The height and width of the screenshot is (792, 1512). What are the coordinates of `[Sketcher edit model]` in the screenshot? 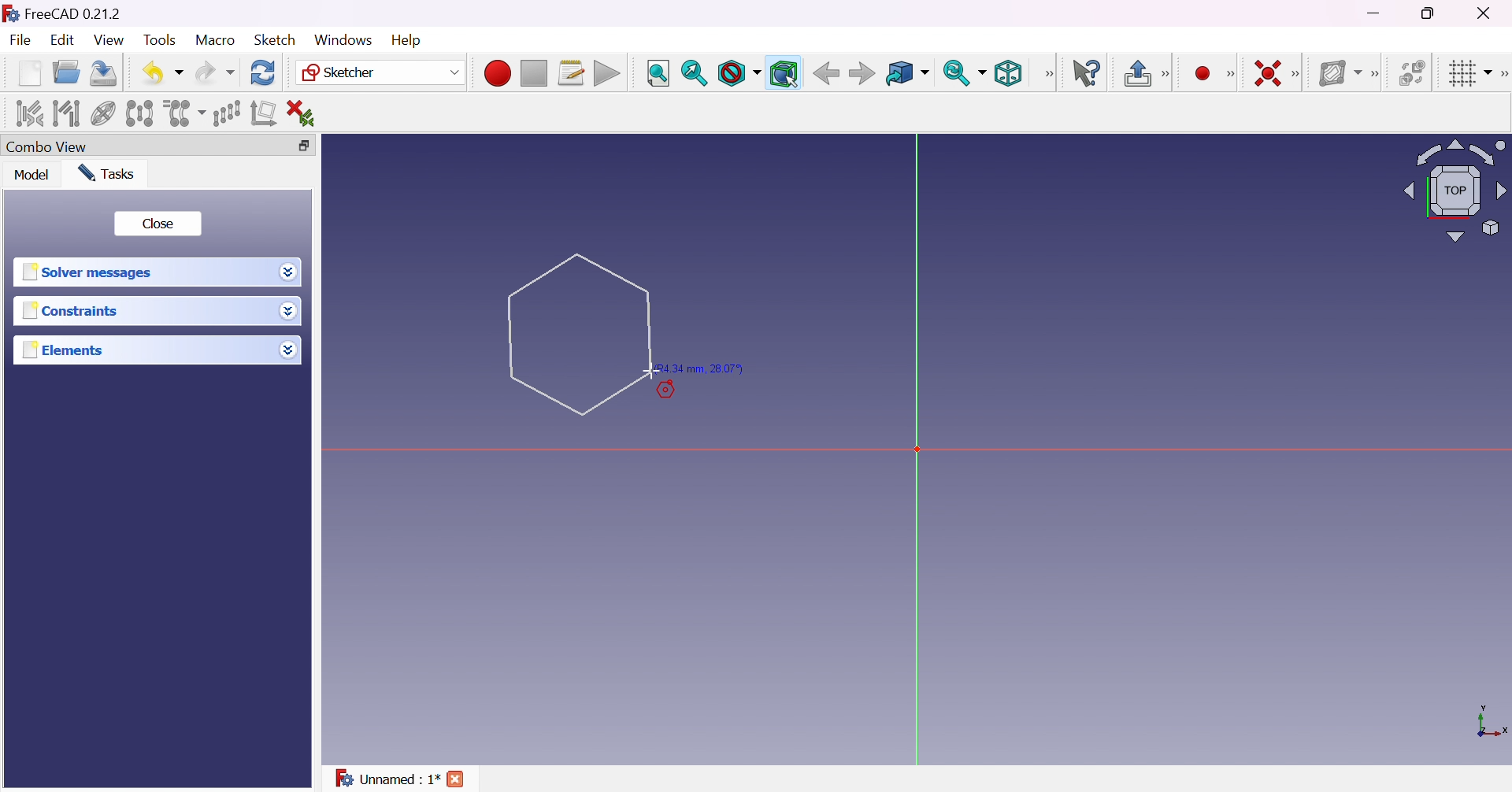 It's located at (1167, 75).